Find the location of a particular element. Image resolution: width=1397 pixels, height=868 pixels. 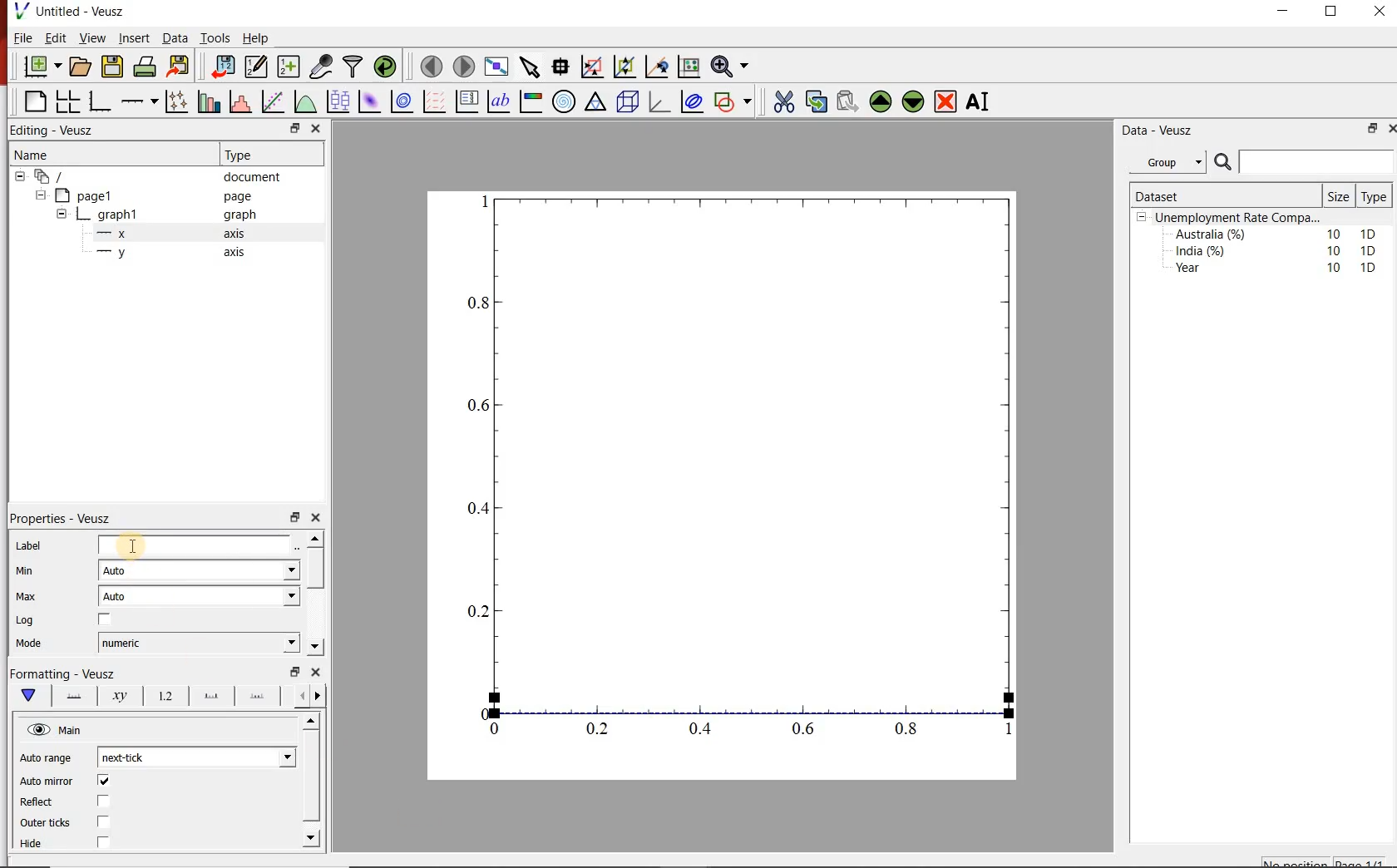

image color bar is located at coordinates (531, 102).